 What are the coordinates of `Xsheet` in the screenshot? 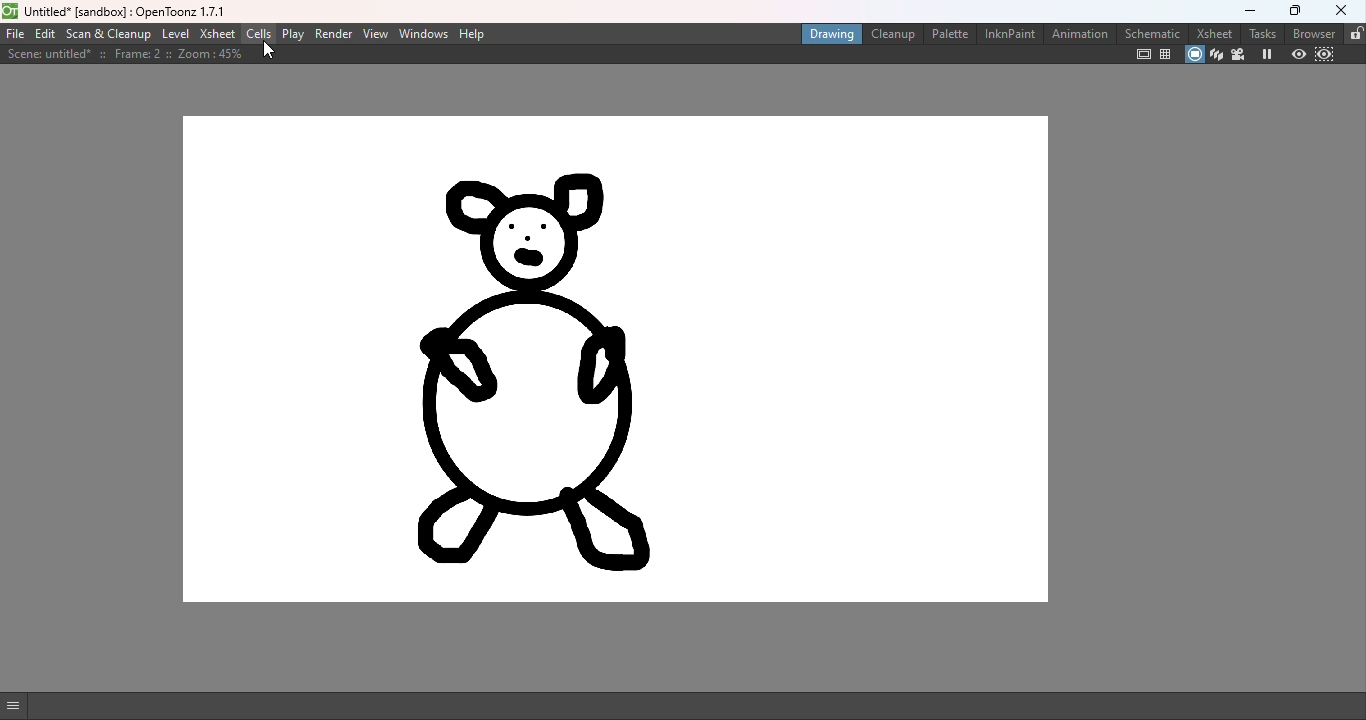 It's located at (1213, 32).